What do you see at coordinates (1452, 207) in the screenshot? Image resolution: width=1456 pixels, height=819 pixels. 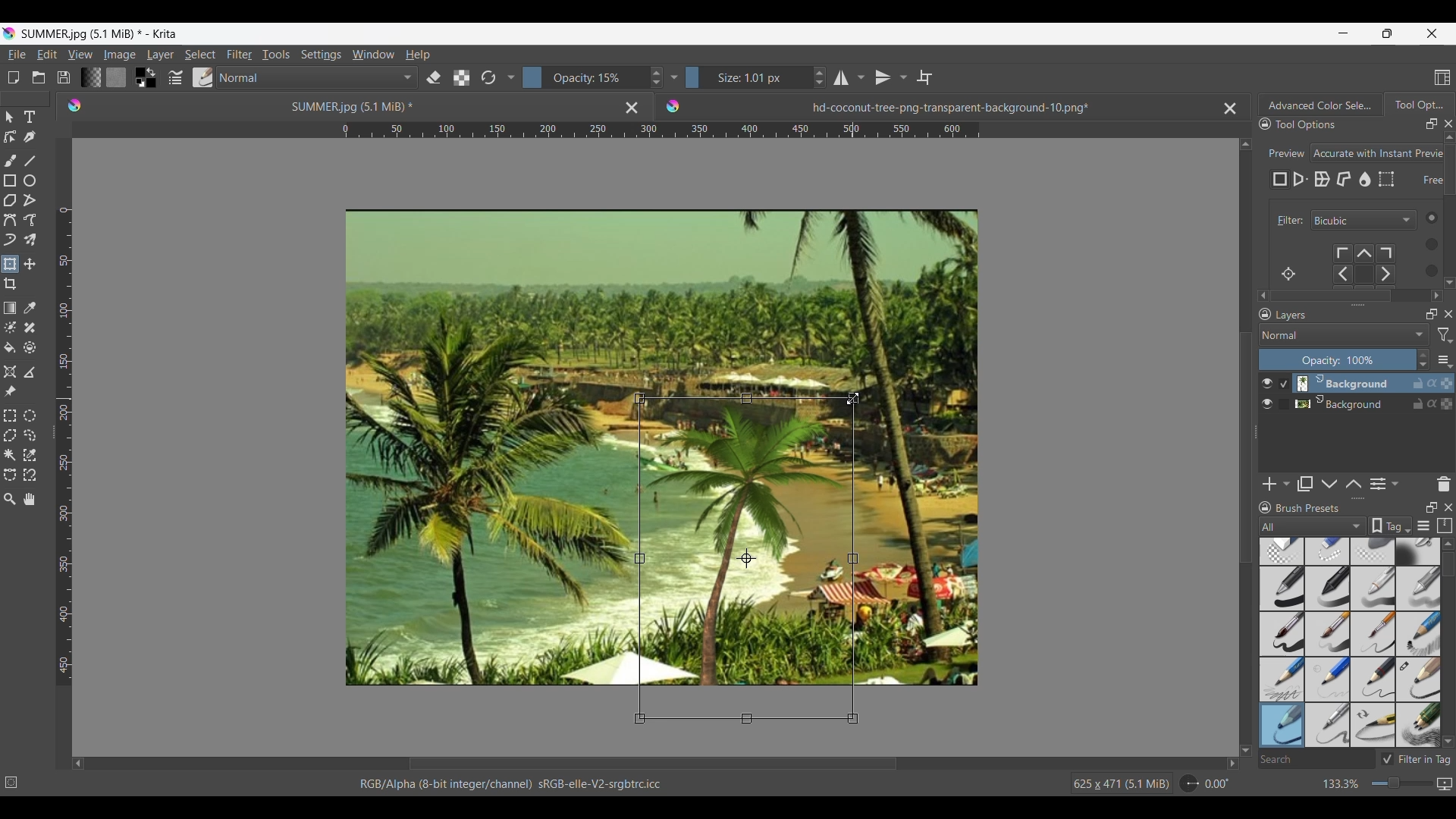 I see `Vertical slide bar of Tool Options panel` at bounding box center [1452, 207].